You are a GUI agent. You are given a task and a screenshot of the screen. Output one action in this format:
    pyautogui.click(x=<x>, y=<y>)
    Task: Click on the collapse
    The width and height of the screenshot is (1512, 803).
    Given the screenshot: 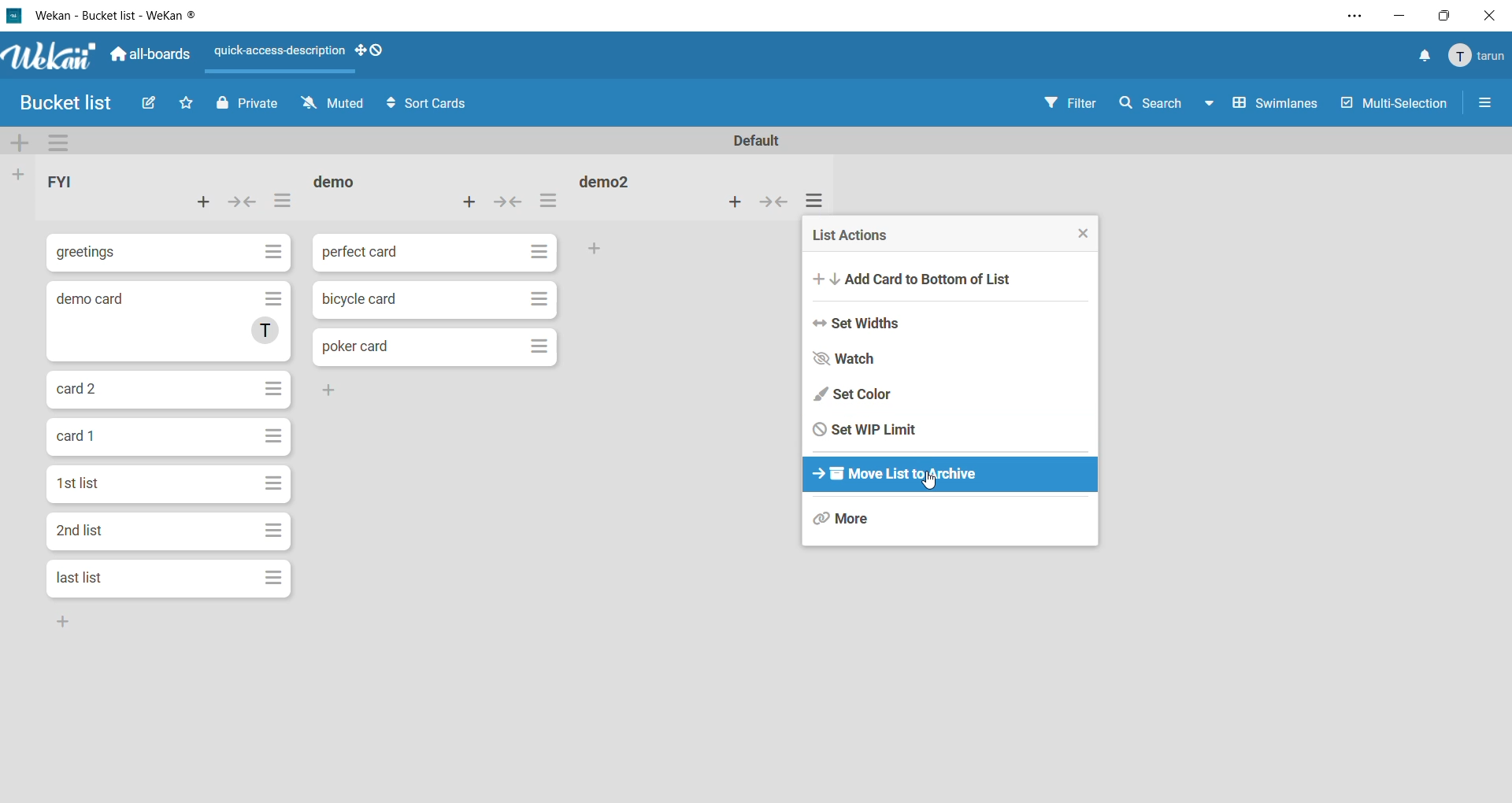 What is the action you would take?
    pyautogui.click(x=506, y=202)
    